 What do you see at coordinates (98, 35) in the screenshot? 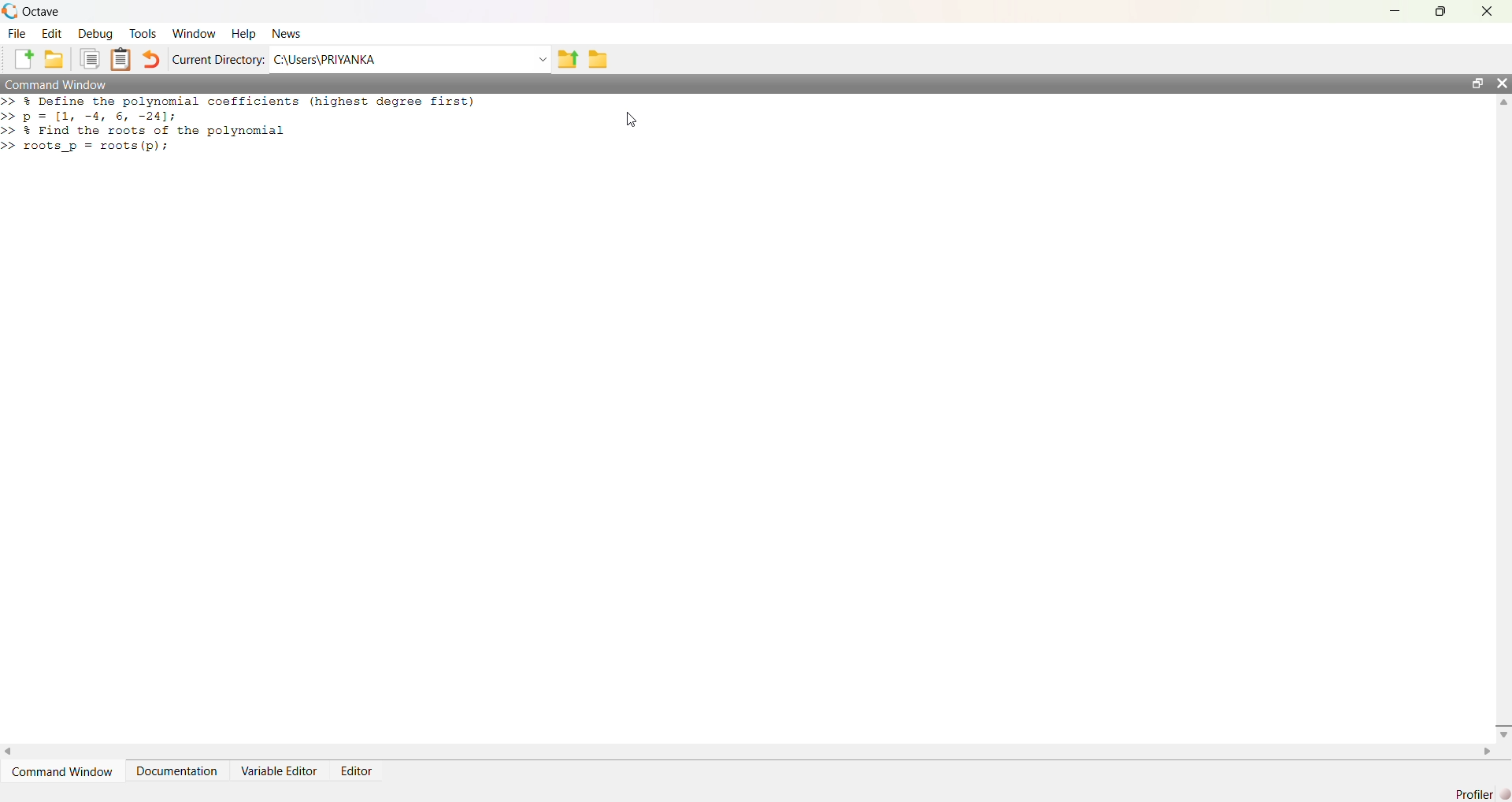
I see `Debug` at bounding box center [98, 35].